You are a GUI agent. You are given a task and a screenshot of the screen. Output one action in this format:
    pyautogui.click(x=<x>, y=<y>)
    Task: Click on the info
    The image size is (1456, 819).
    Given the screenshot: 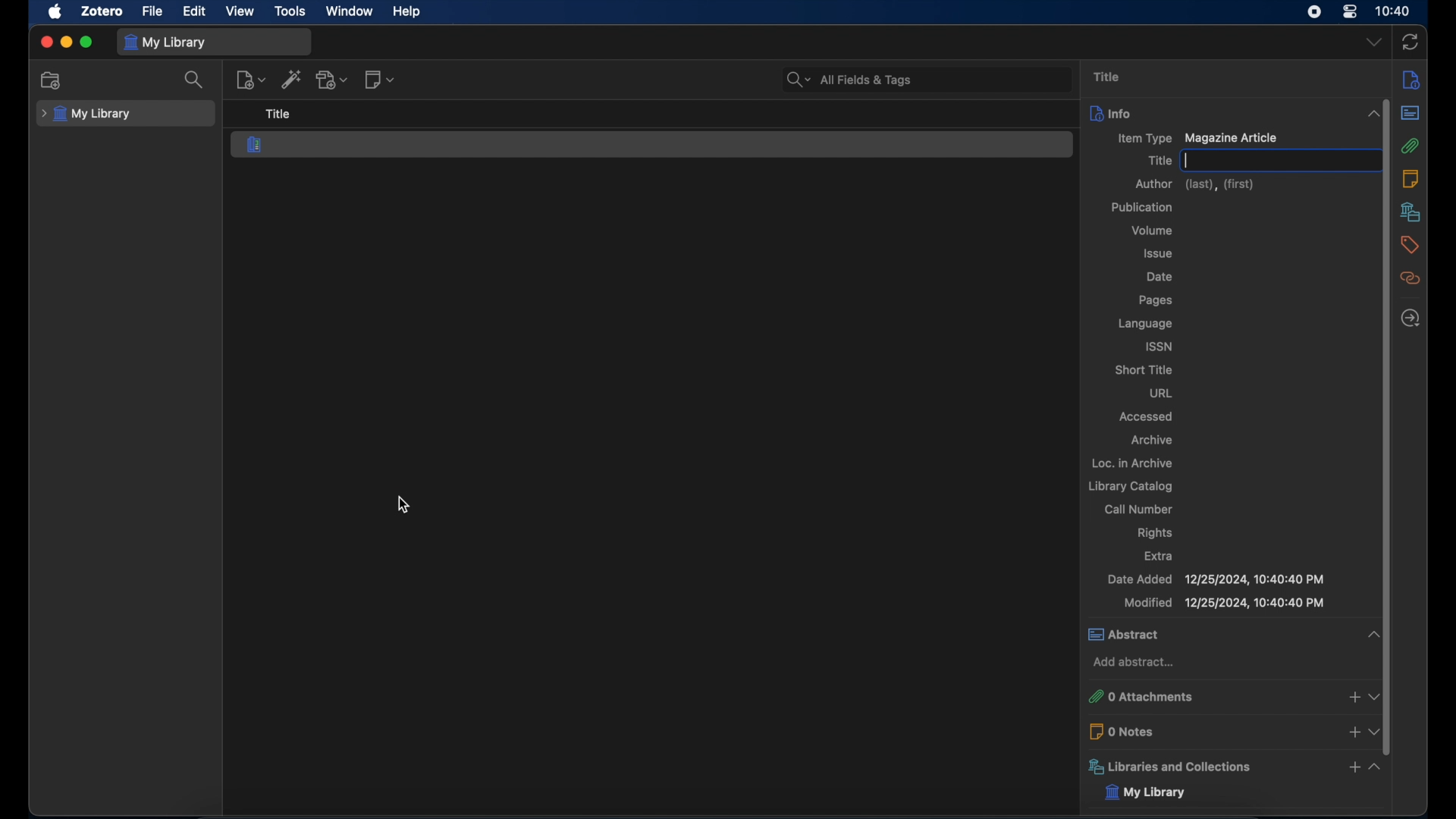 What is the action you would take?
    pyautogui.click(x=1230, y=113)
    